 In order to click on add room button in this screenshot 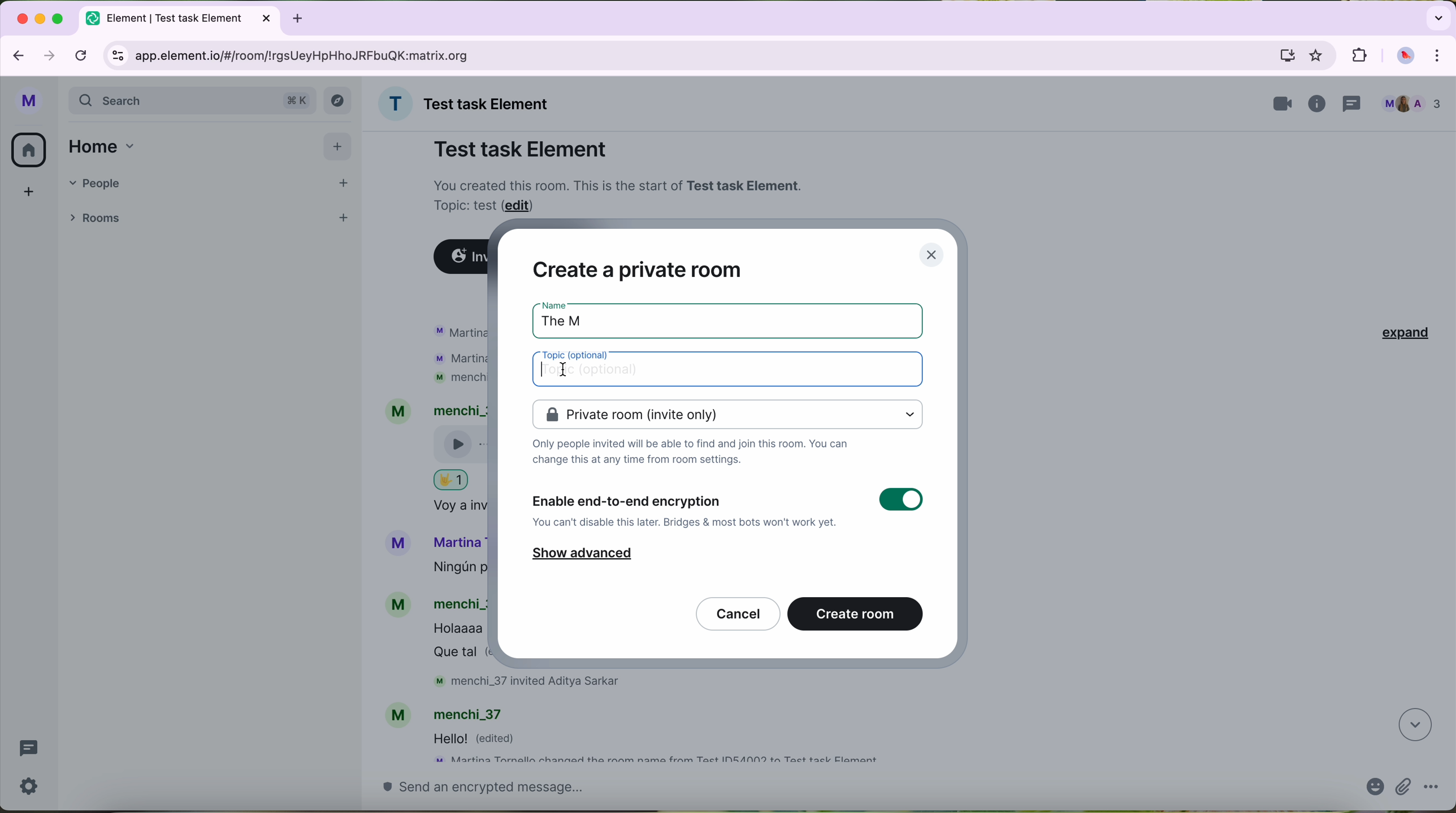, I will do `click(343, 215)`.